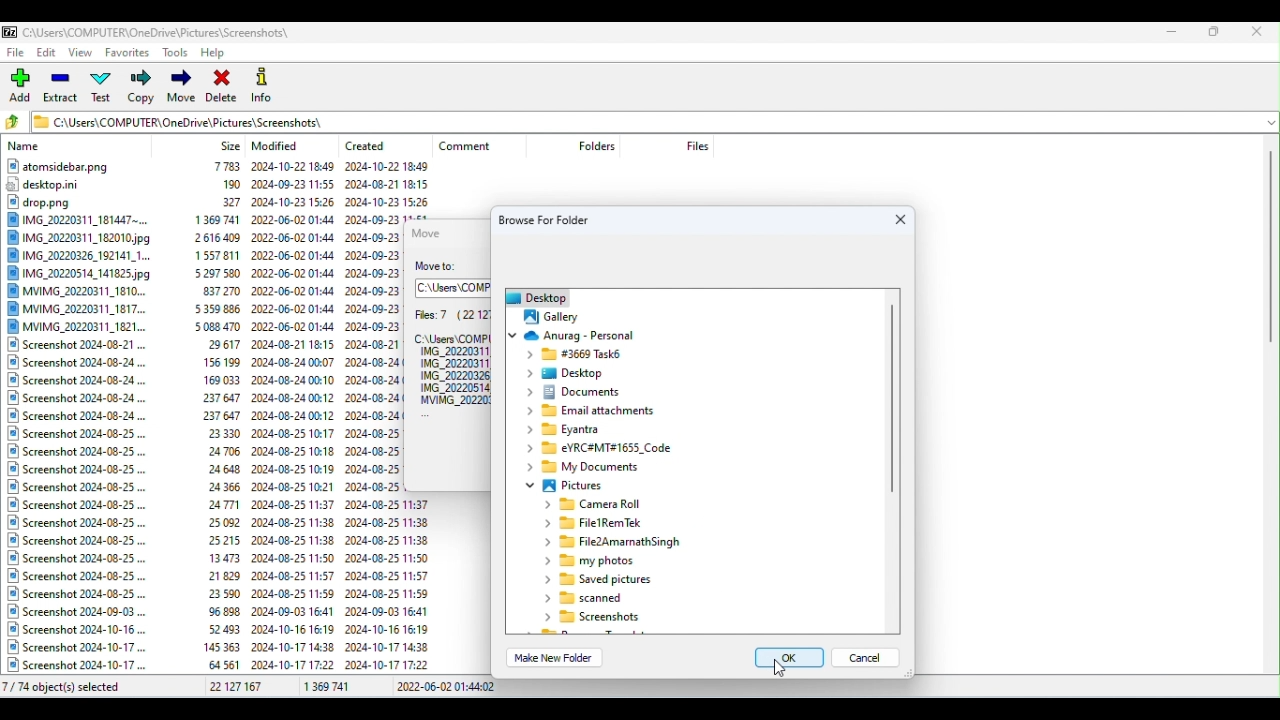 The width and height of the screenshot is (1280, 720). I want to click on File address bar, so click(643, 120).